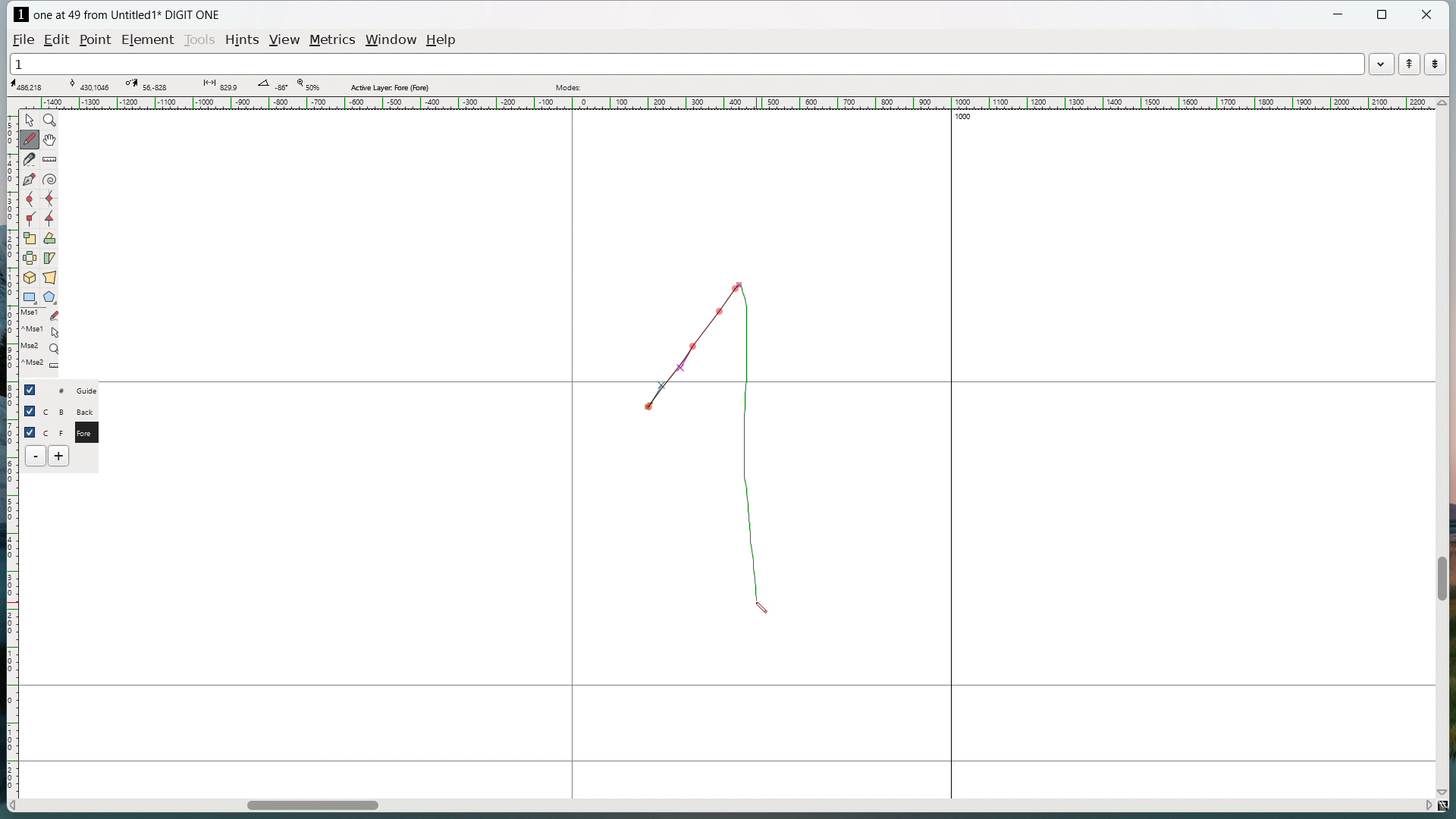 Image resolution: width=1456 pixels, height=819 pixels. I want to click on # Guide, so click(72, 390).